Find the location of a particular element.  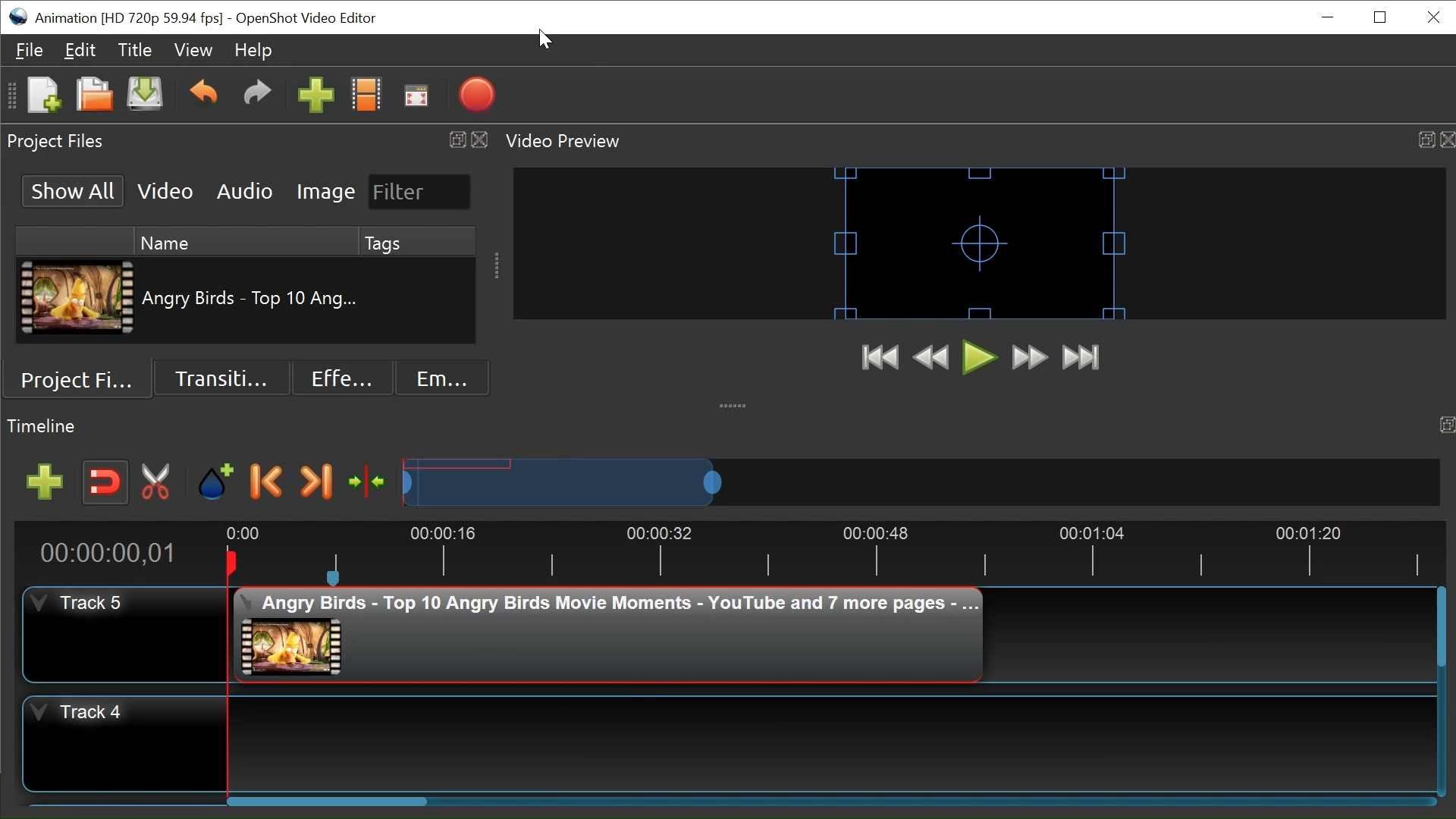

Clip is located at coordinates (79, 300).